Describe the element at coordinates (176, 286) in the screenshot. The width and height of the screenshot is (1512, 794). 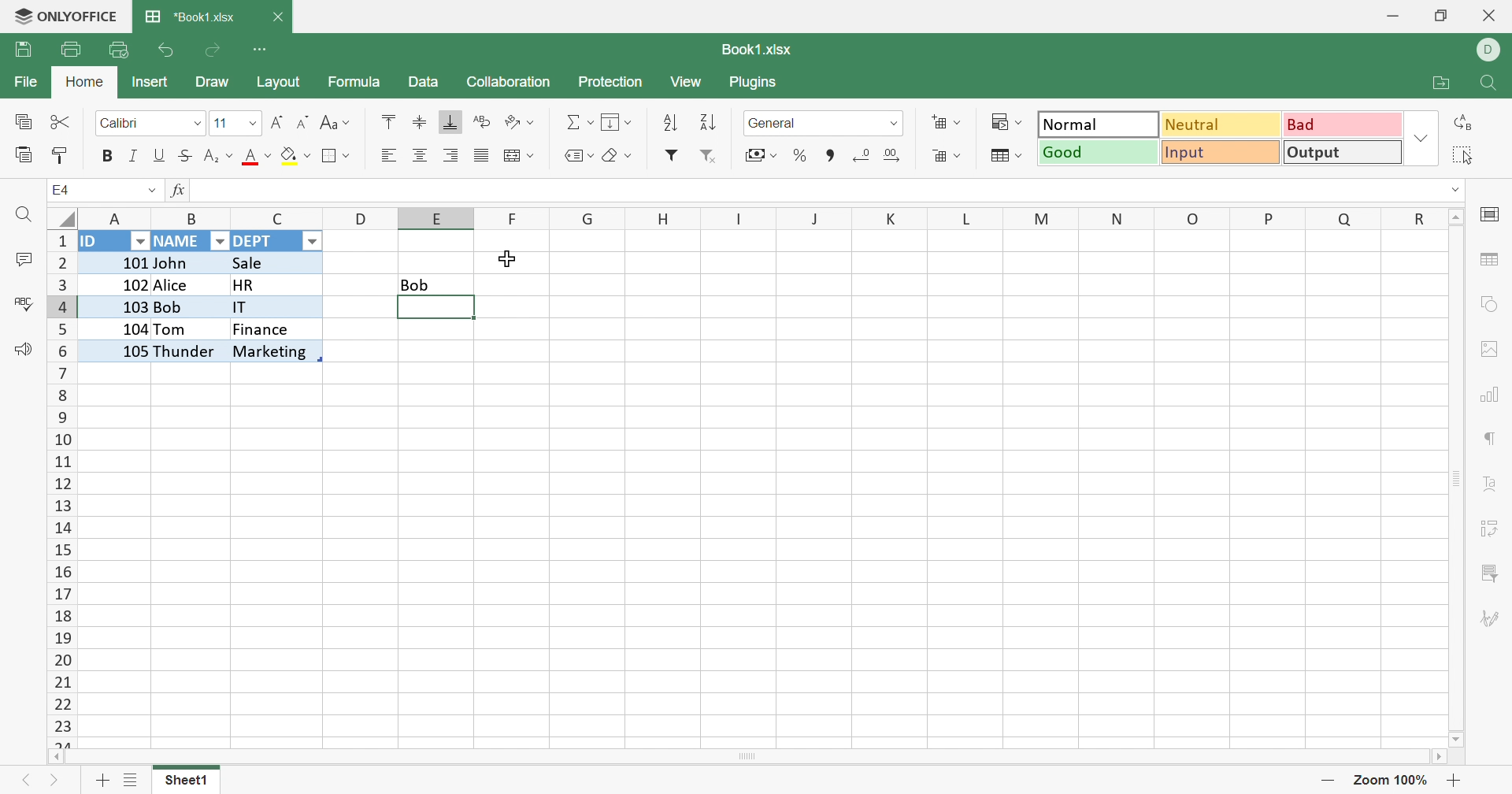
I see `Alice` at that location.